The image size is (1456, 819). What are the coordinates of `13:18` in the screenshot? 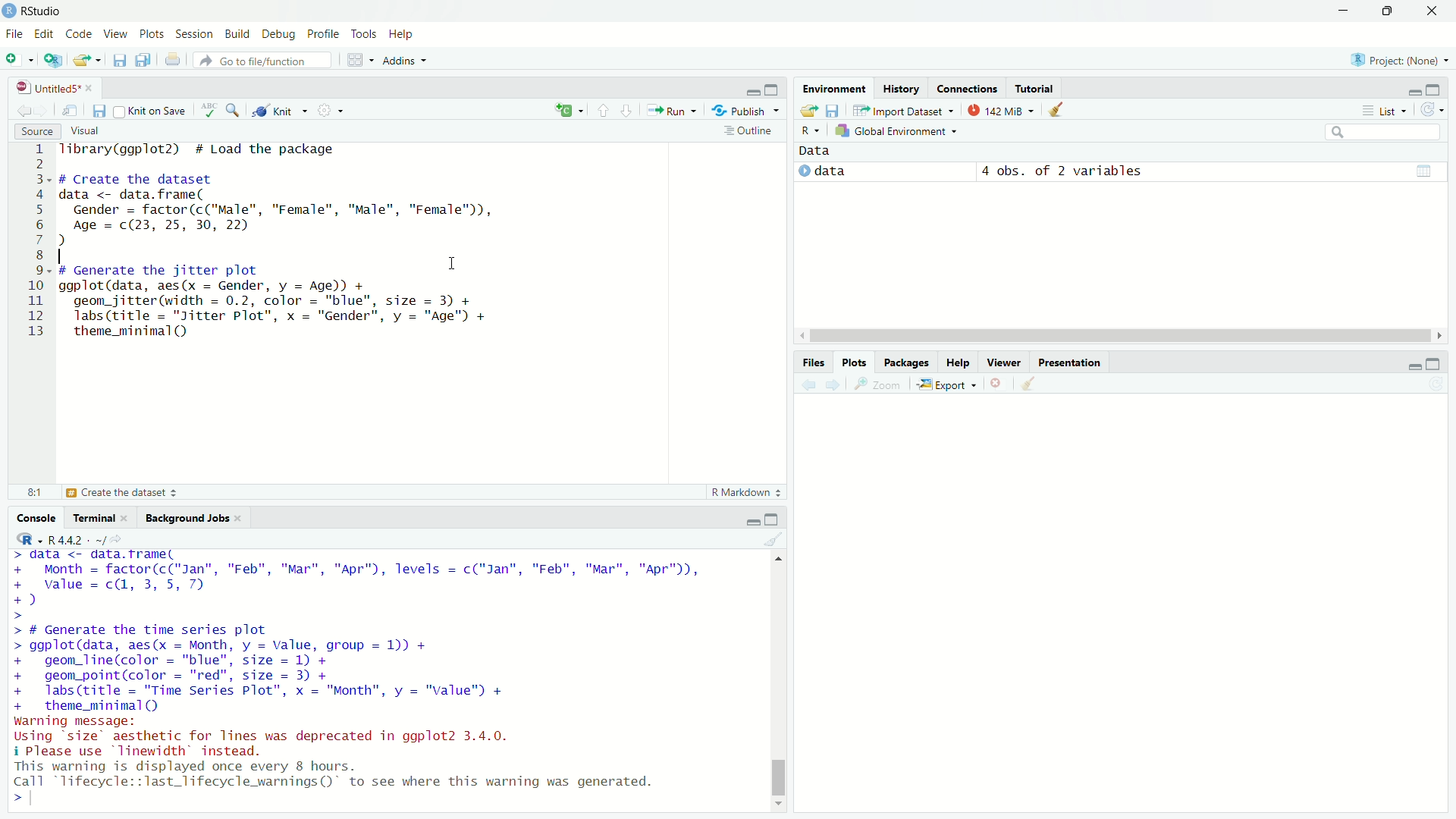 It's located at (27, 491).